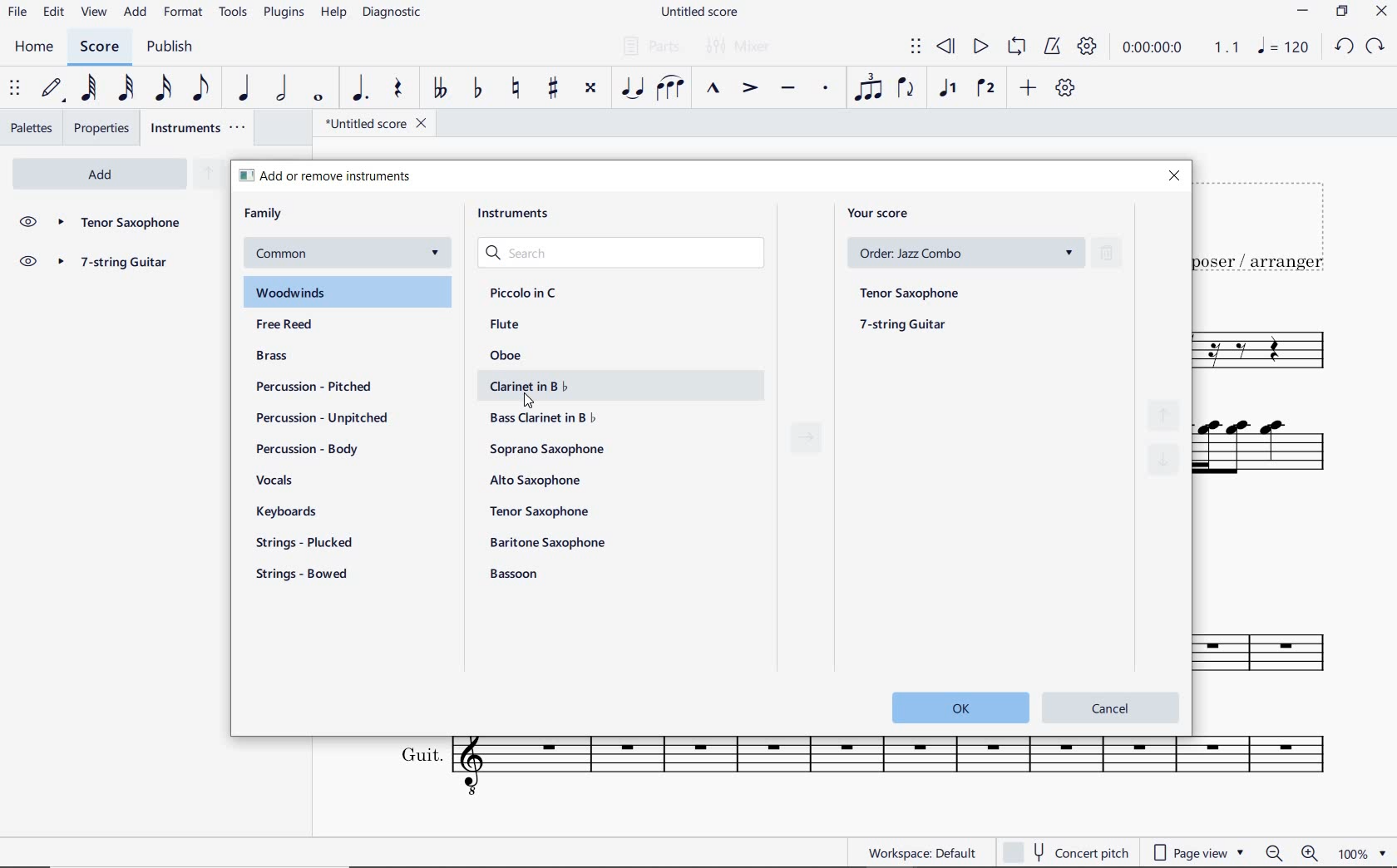 The height and width of the screenshot is (868, 1397). I want to click on TOGGLE SHARP, so click(555, 90).